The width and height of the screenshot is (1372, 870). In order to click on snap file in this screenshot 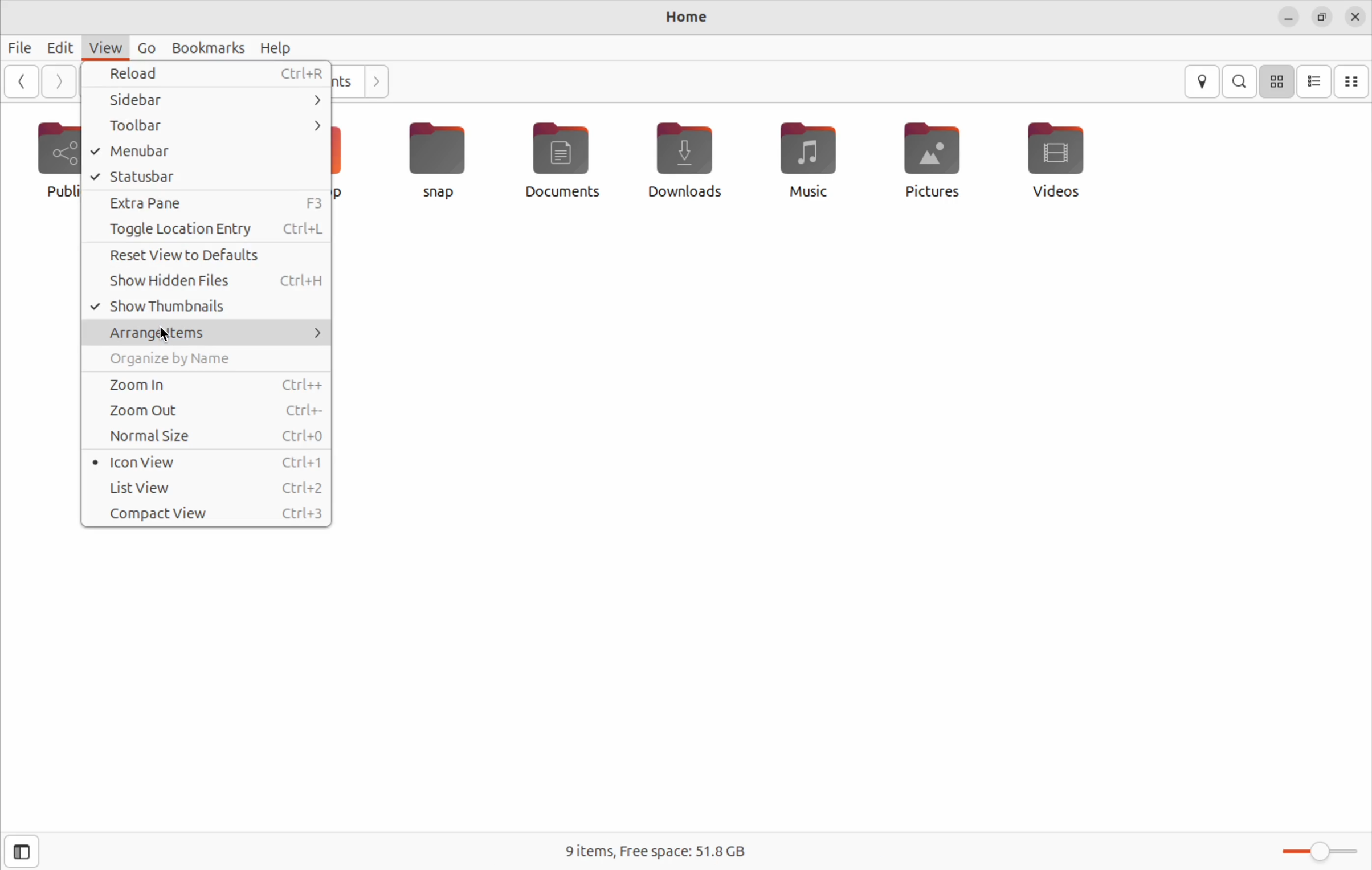, I will do `click(438, 161)`.